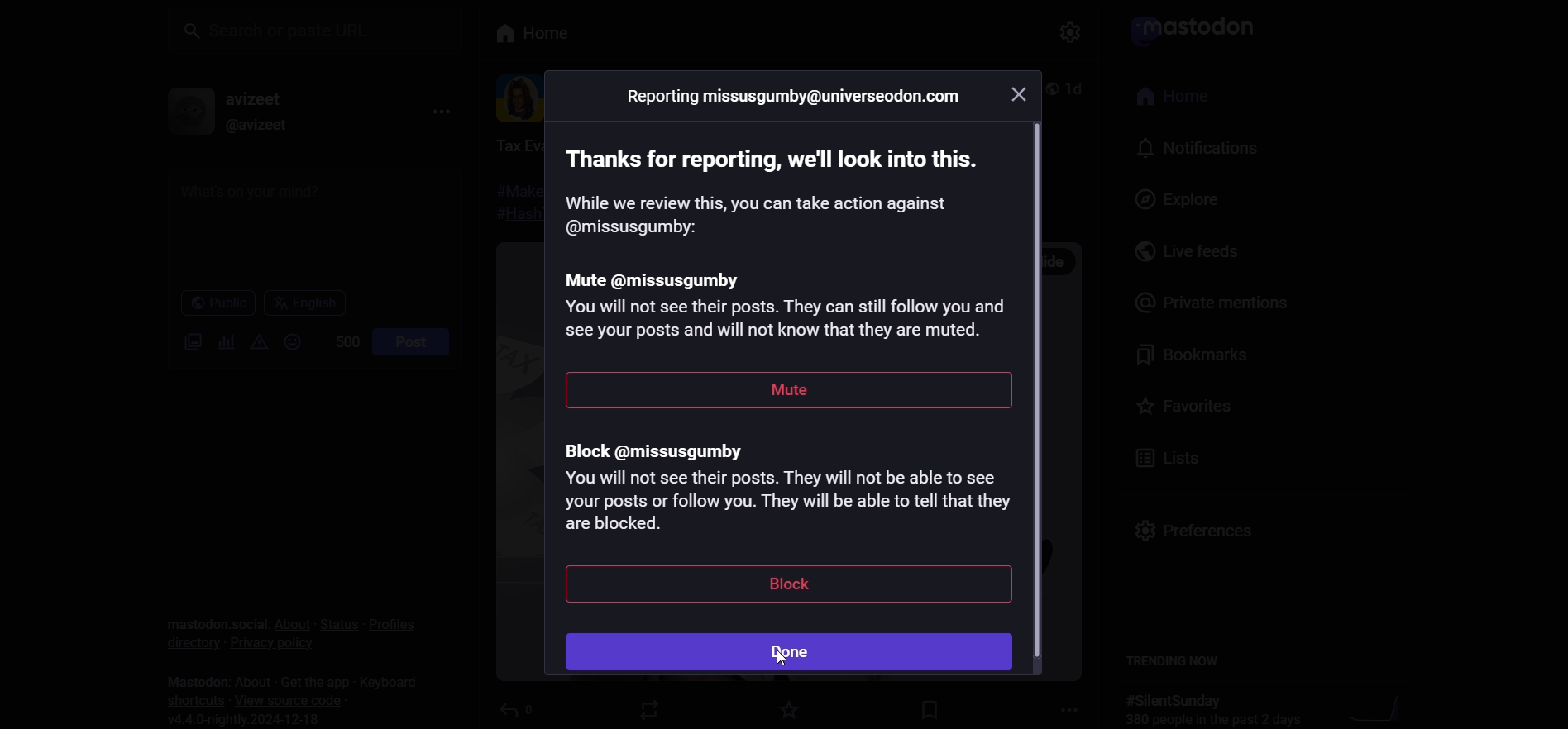  I want to click on done, so click(788, 649).